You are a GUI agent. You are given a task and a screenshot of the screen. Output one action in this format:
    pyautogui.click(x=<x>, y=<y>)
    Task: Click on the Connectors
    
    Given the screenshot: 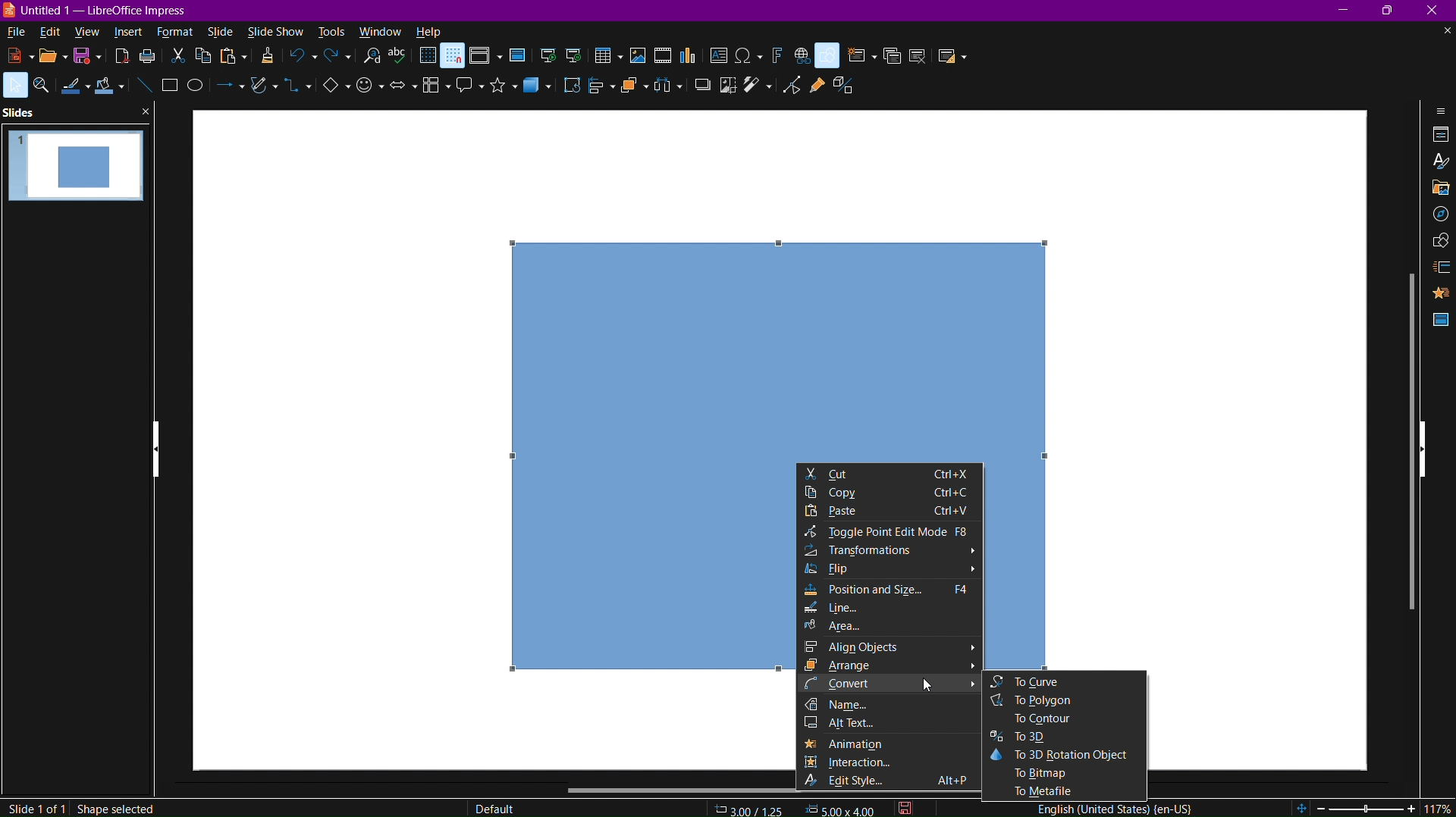 What is the action you would take?
    pyautogui.click(x=297, y=92)
    